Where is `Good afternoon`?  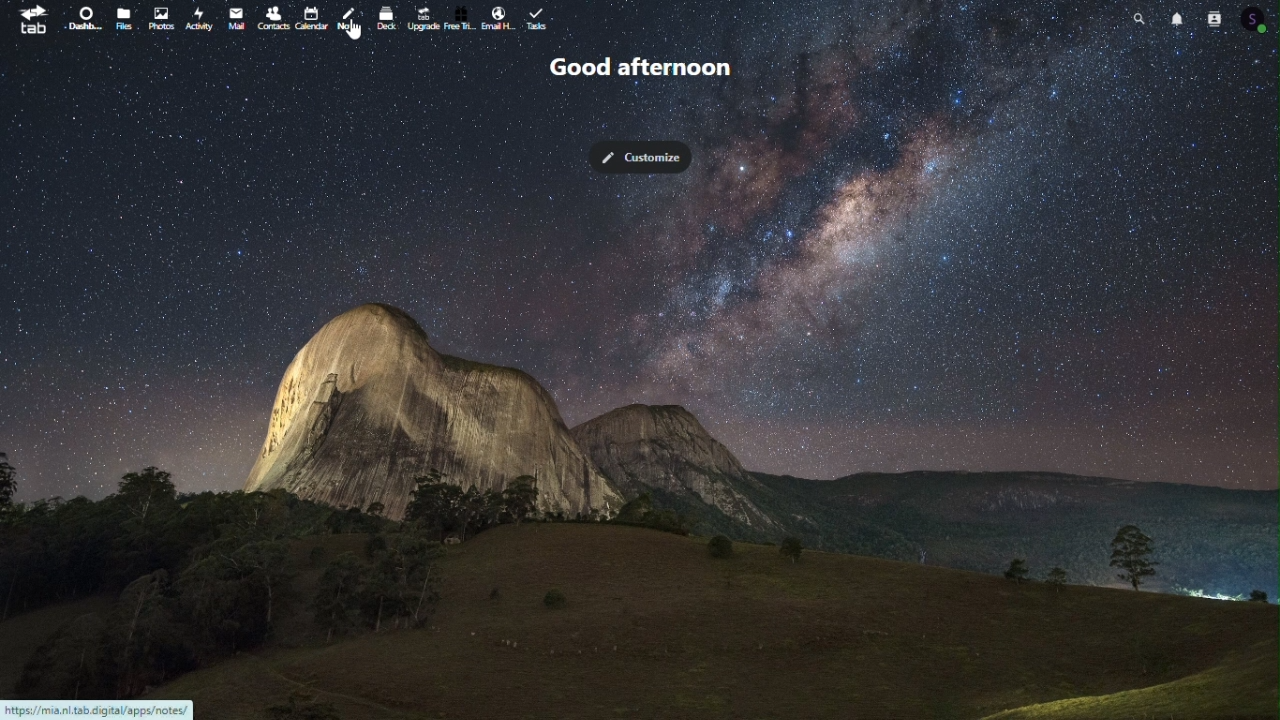
Good afternoon is located at coordinates (637, 69).